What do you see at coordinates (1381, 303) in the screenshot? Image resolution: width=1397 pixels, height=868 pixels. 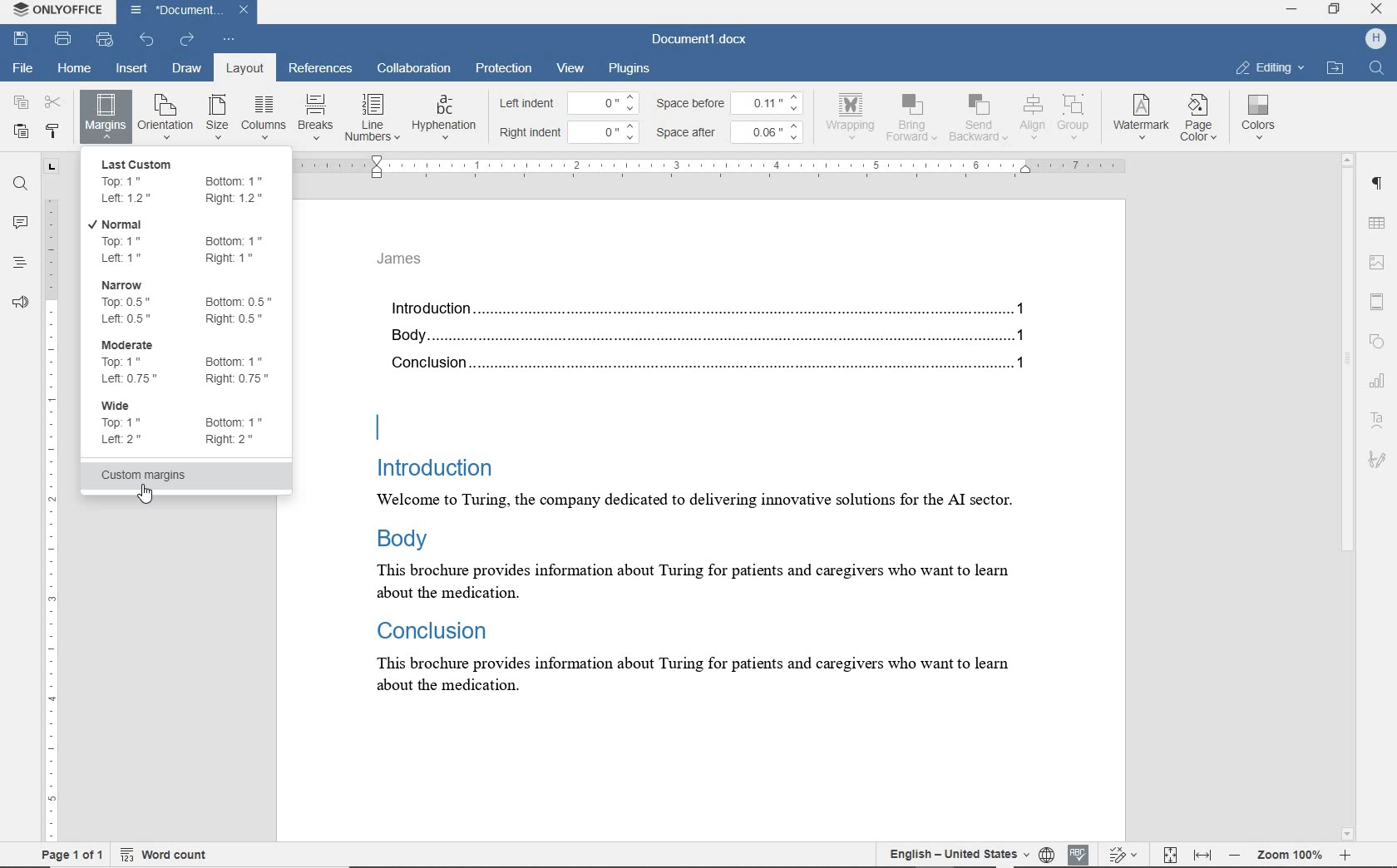 I see `header & footer` at bounding box center [1381, 303].